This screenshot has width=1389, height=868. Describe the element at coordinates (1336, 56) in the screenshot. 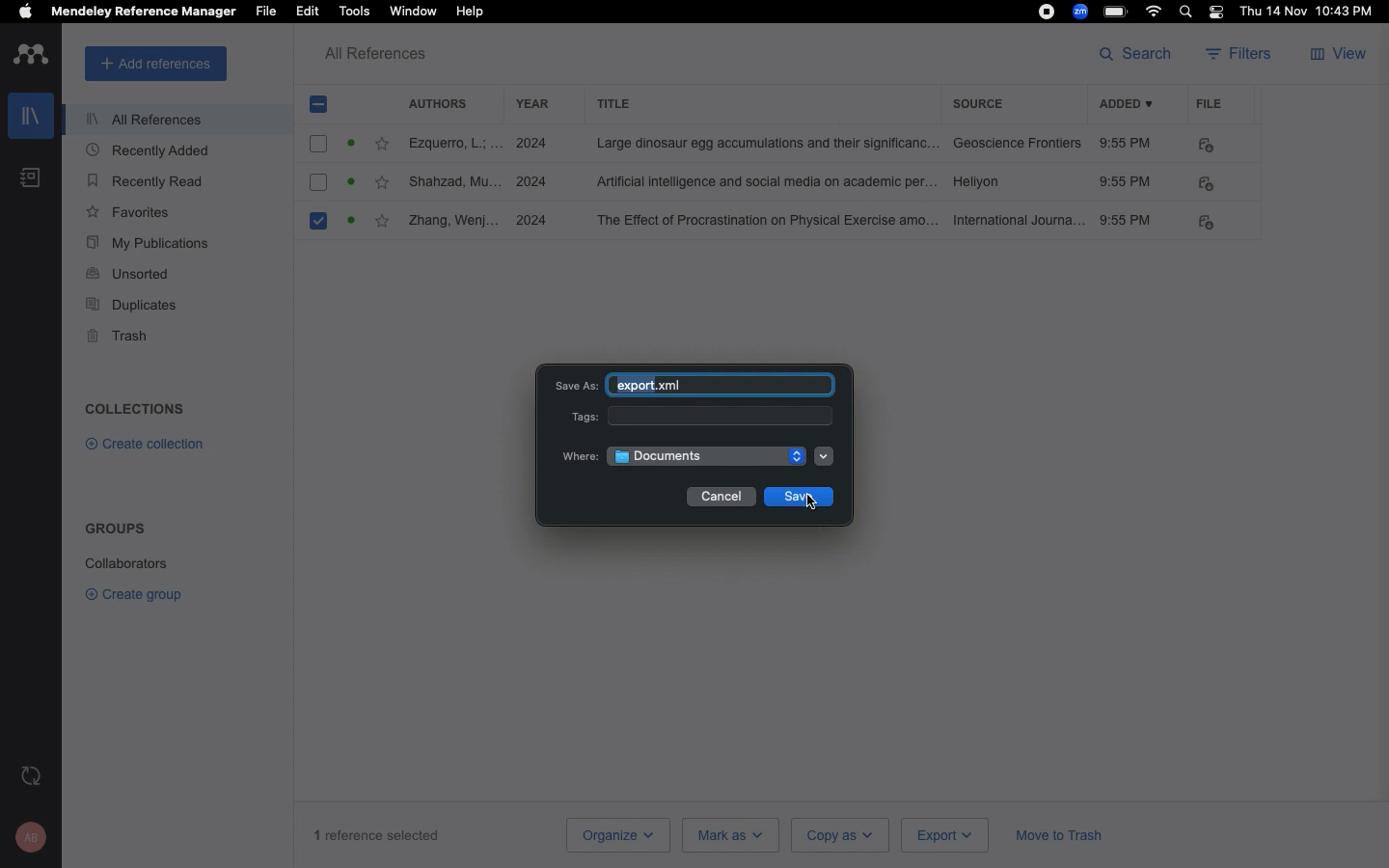

I see `View` at that location.